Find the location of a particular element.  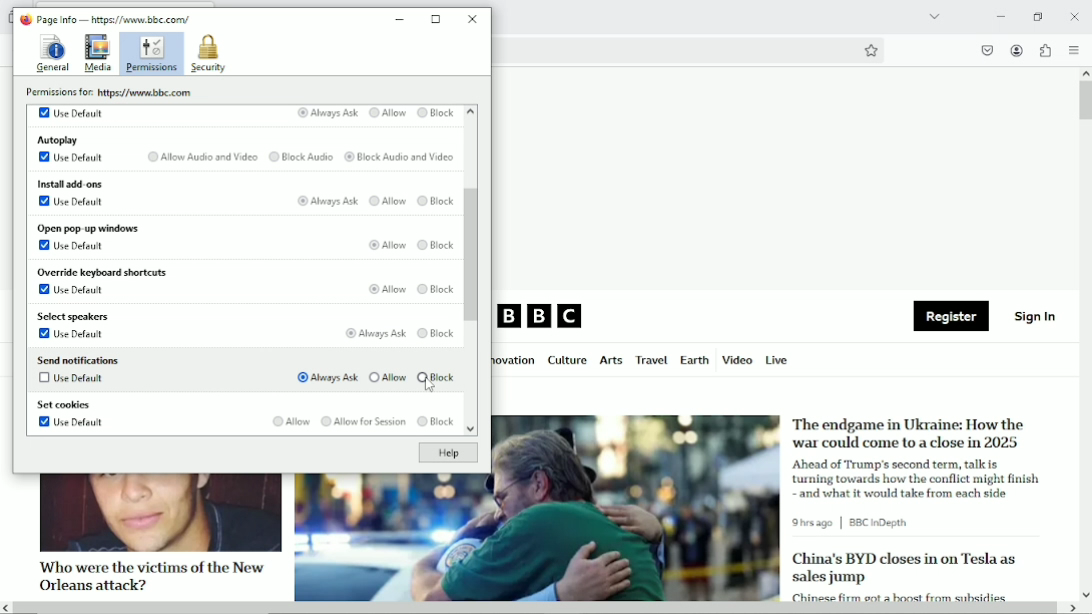

Cursor is located at coordinates (430, 387).